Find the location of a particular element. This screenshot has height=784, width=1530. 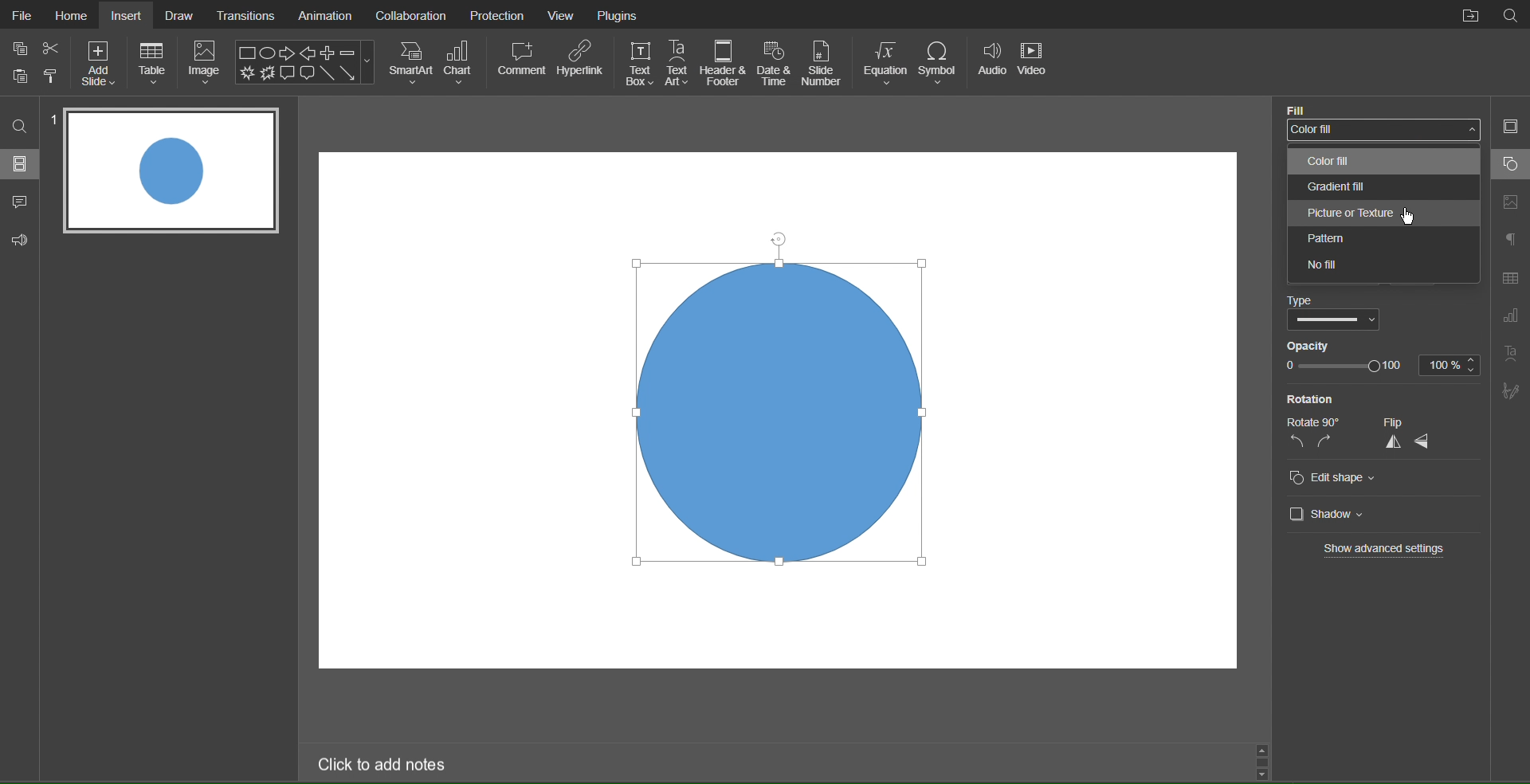

copy is located at coordinates (19, 49).